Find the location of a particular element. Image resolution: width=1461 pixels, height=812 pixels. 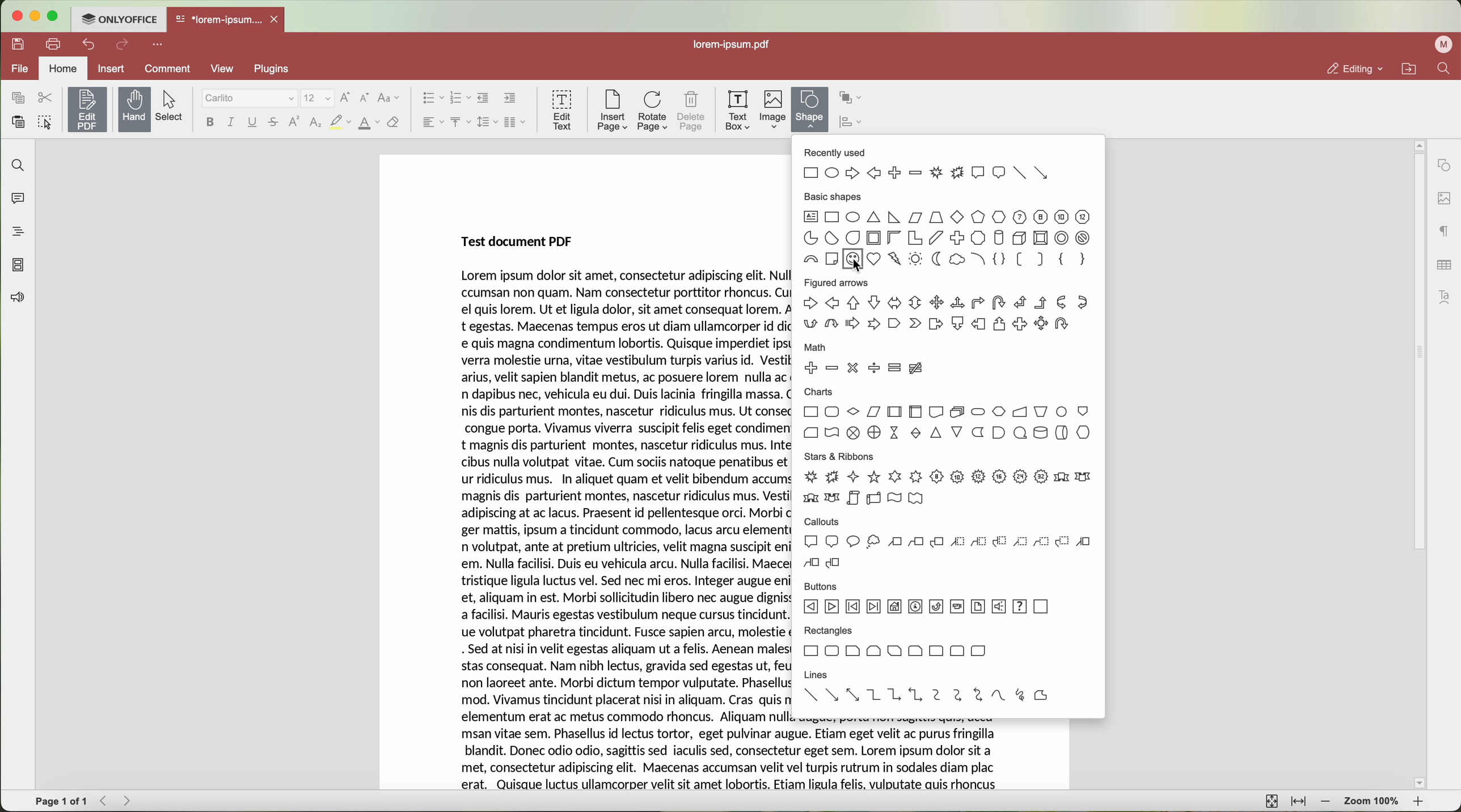

lorem-ipsum.pdf is located at coordinates (737, 45).